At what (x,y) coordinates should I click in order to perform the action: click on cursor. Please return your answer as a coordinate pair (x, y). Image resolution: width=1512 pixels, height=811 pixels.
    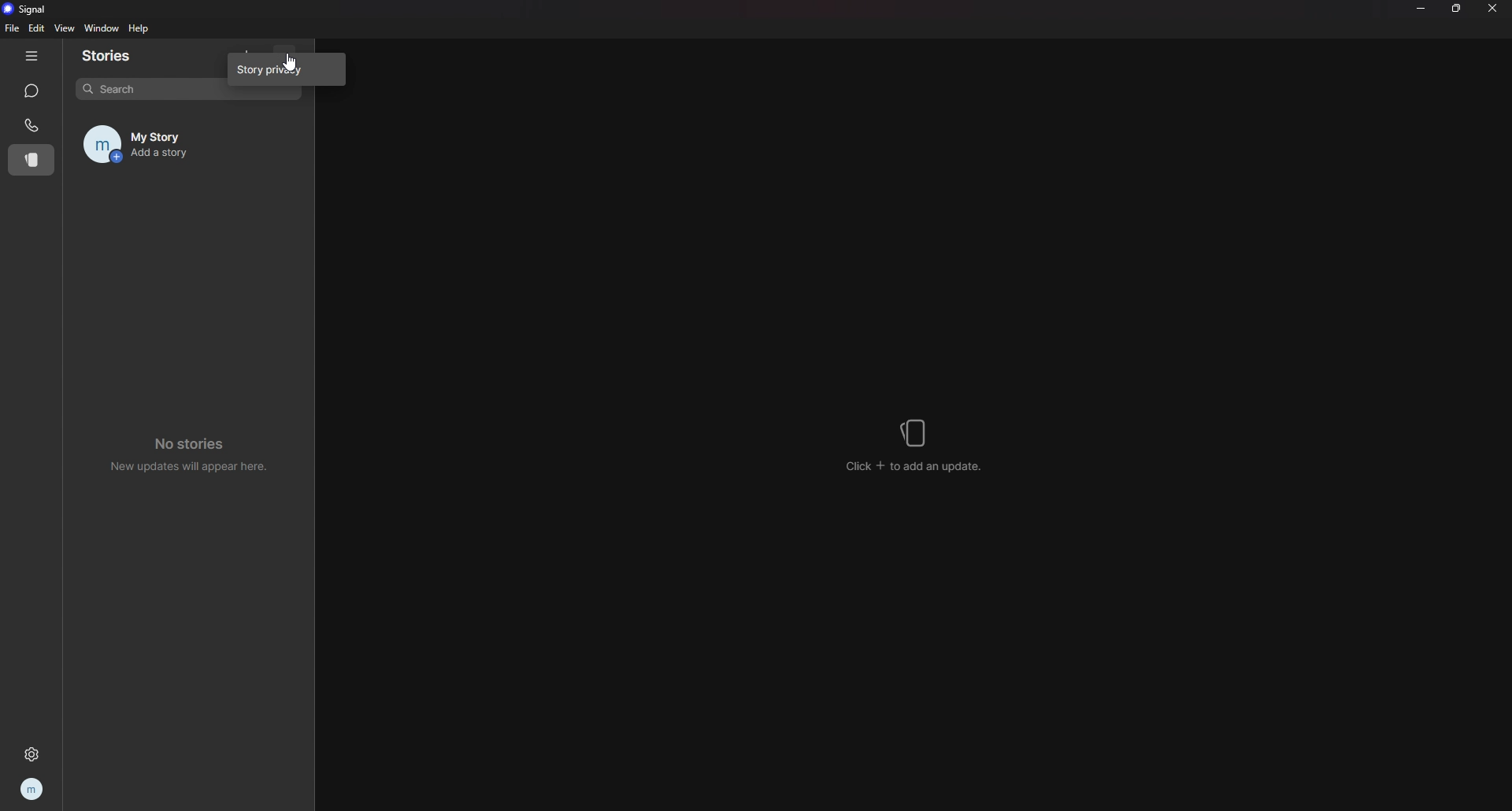
    Looking at the image, I should click on (291, 62).